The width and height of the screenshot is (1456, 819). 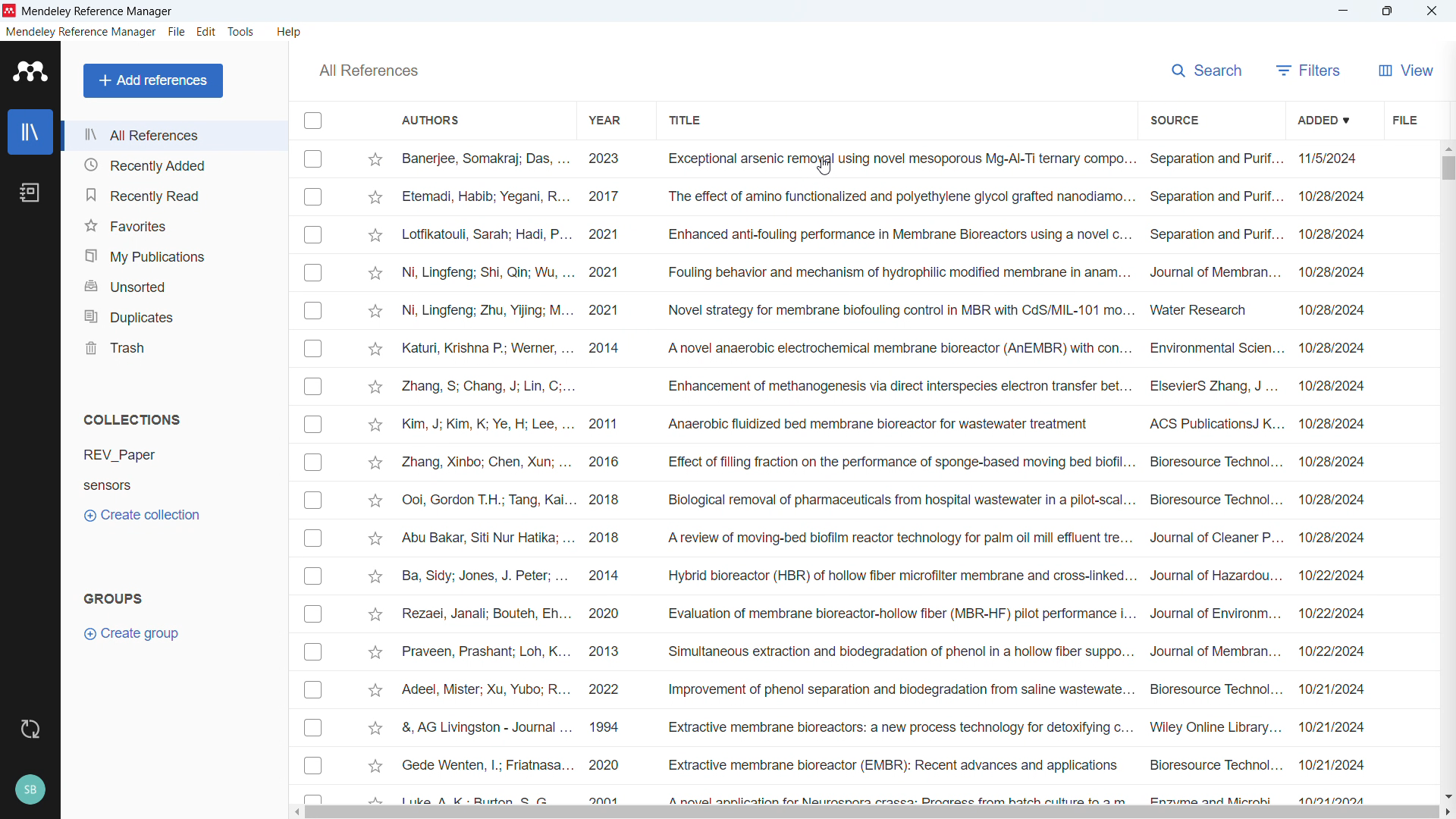 I want to click on click to starmark individual entries, so click(x=375, y=237).